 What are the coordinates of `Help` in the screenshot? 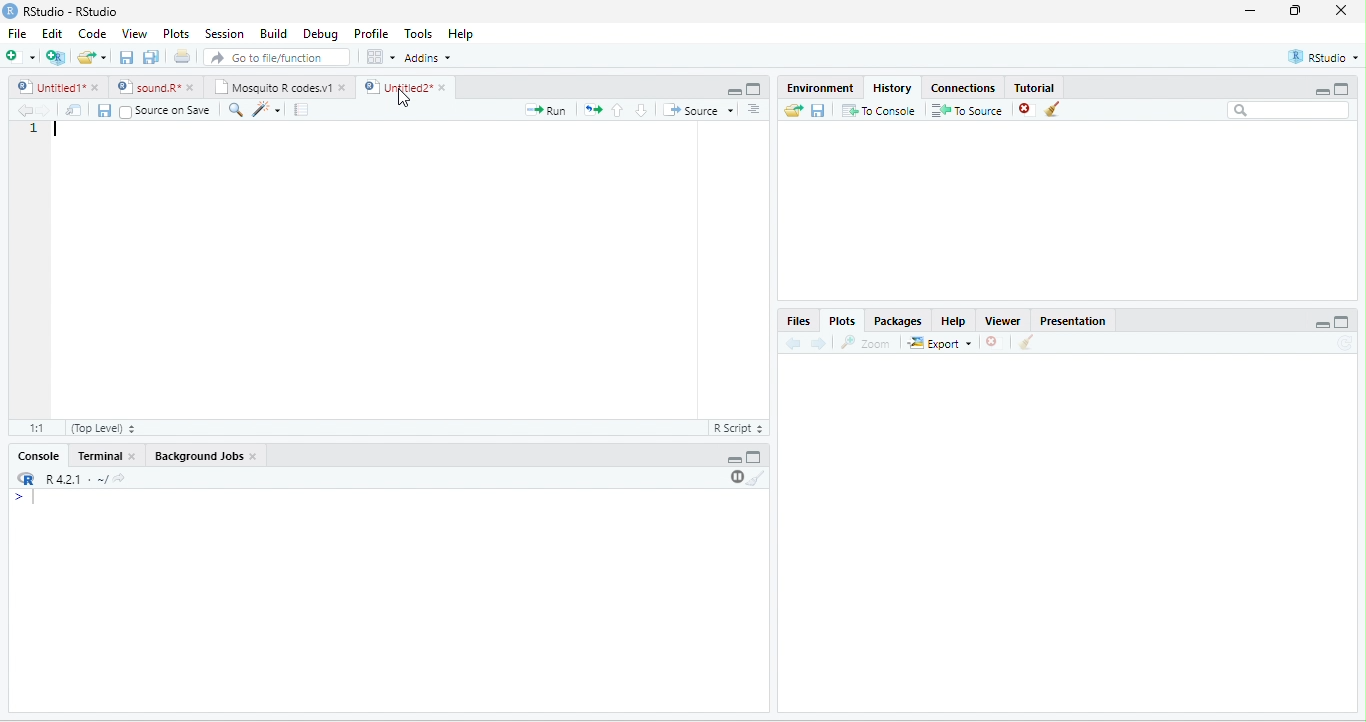 It's located at (954, 321).